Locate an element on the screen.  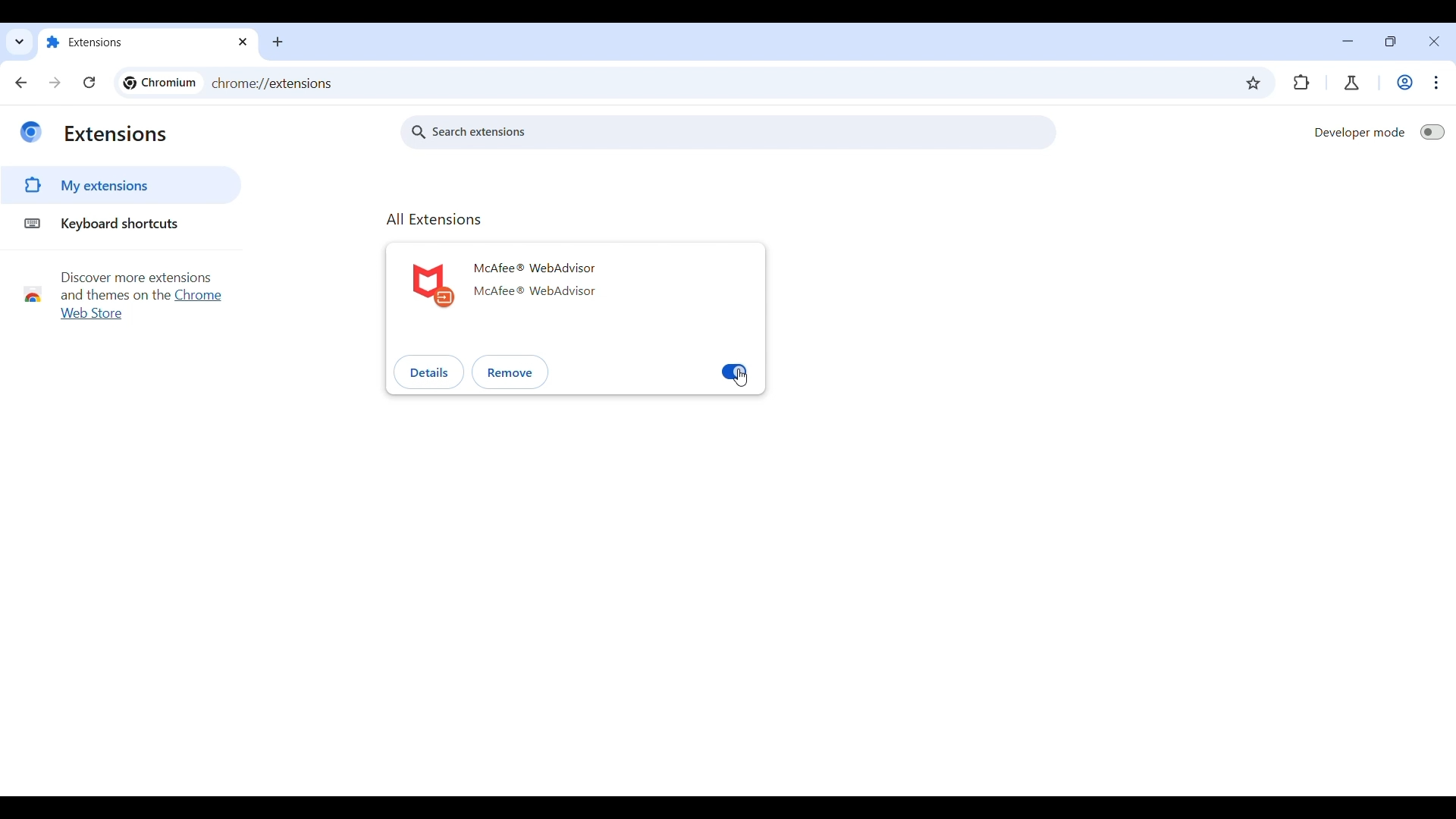
Link to Chrome web store is located at coordinates (92, 313).